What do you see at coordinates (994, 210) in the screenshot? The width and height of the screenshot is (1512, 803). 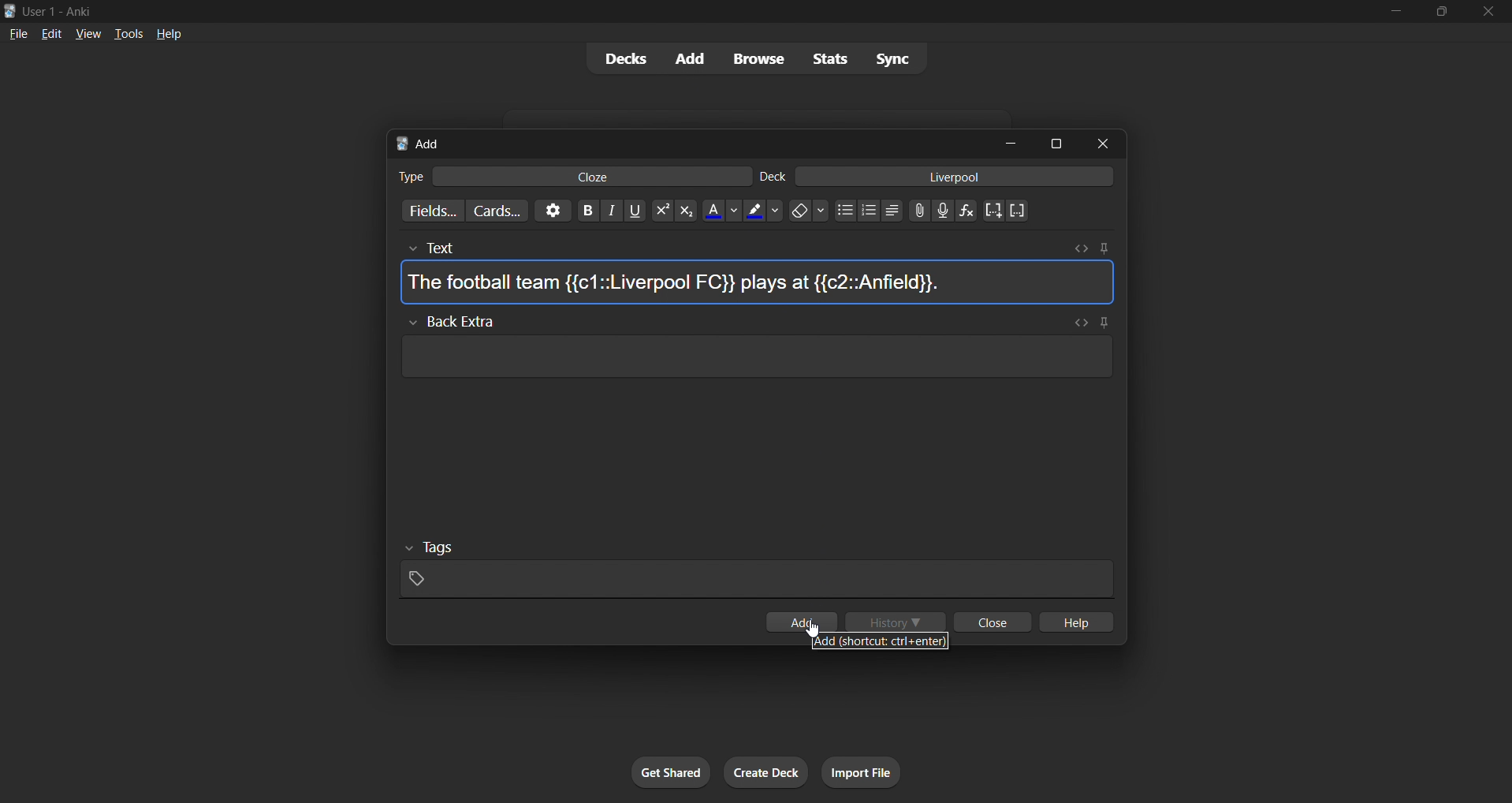 I see `cloze deletion` at bounding box center [994, 210].